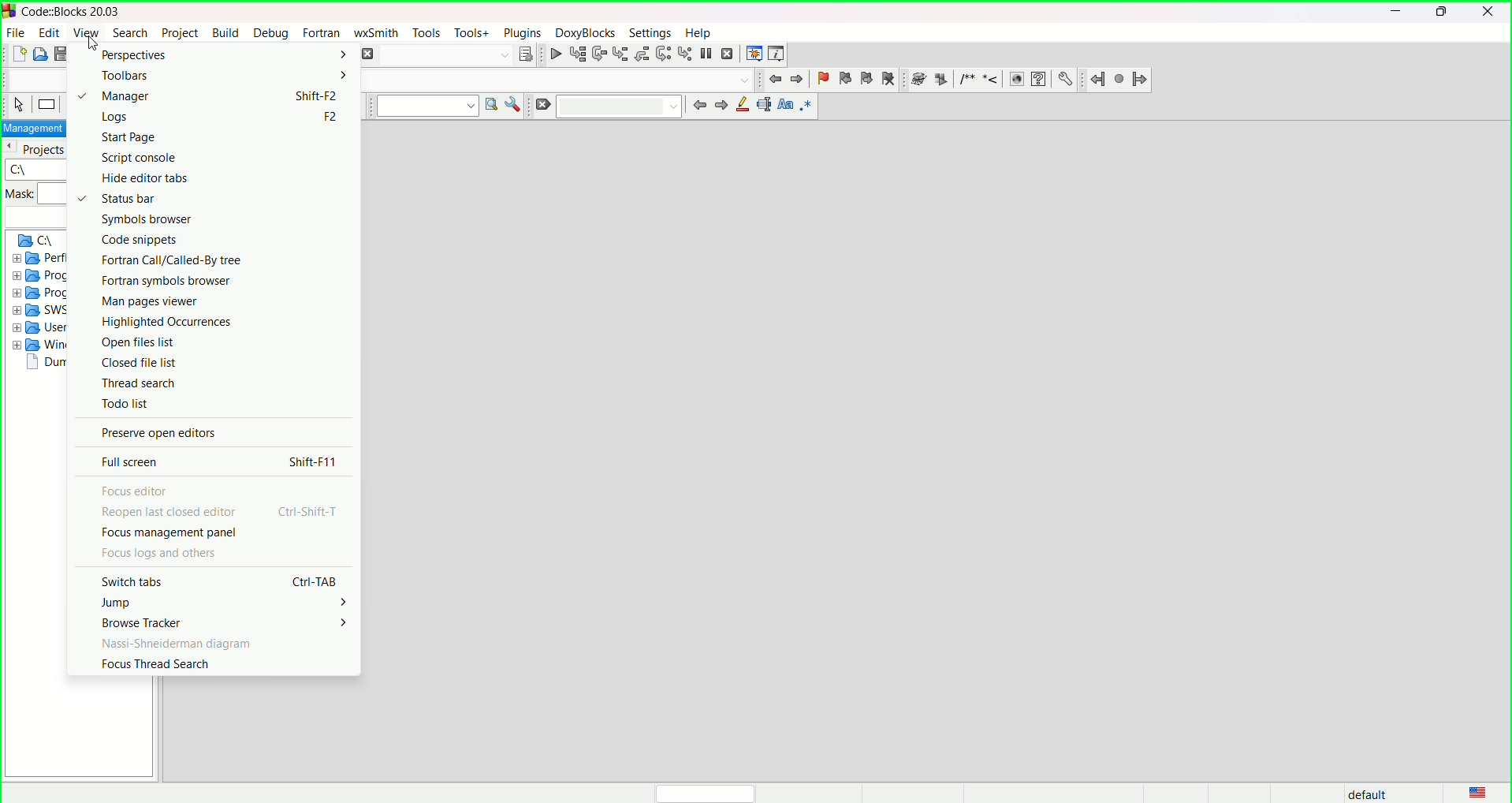 The image size is (1512, 803). Describe the element at coordinates (940, 80) in the screenshot. I see `Extract` at that location.